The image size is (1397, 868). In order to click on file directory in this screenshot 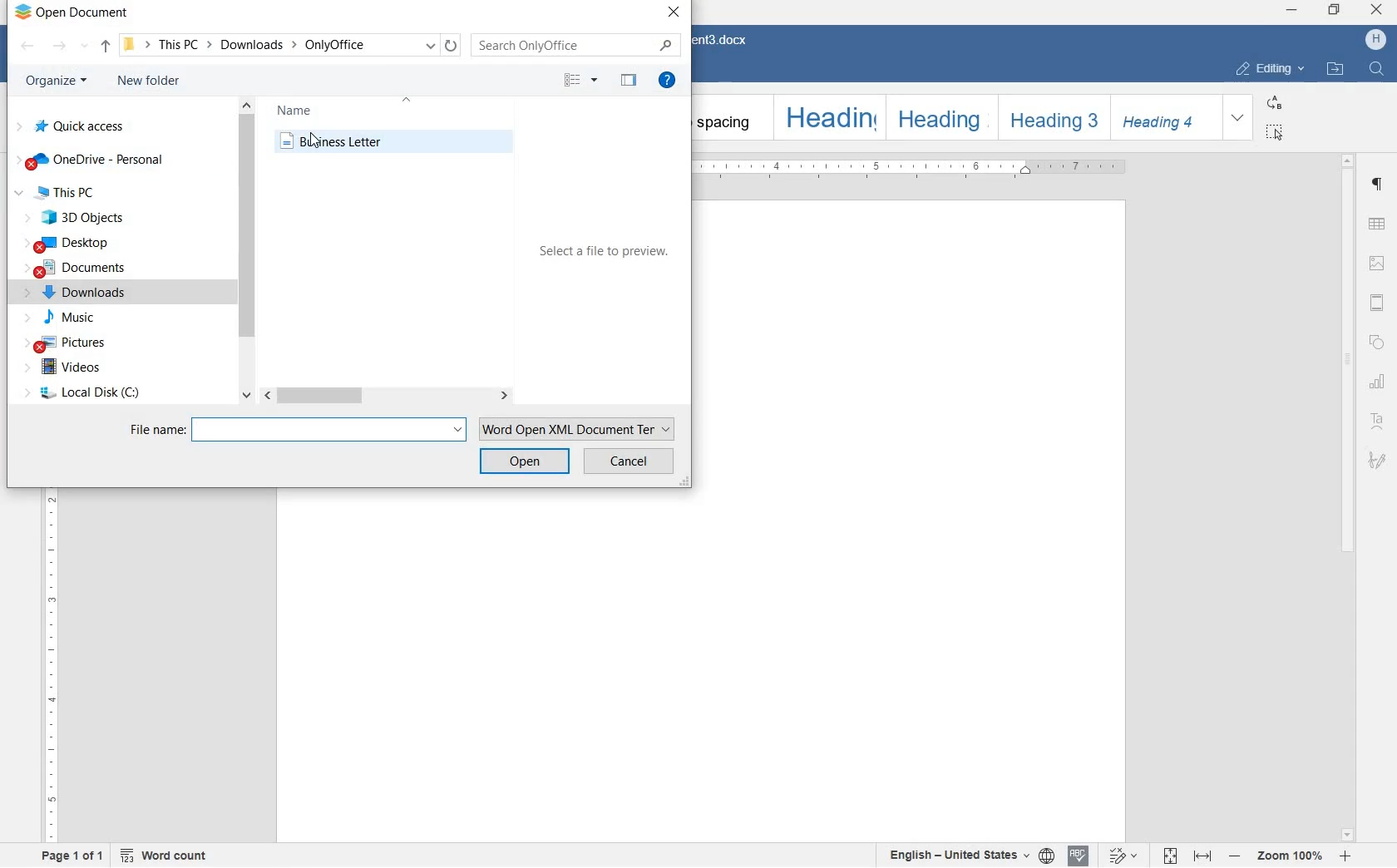, I will do `click(107, 45)`.